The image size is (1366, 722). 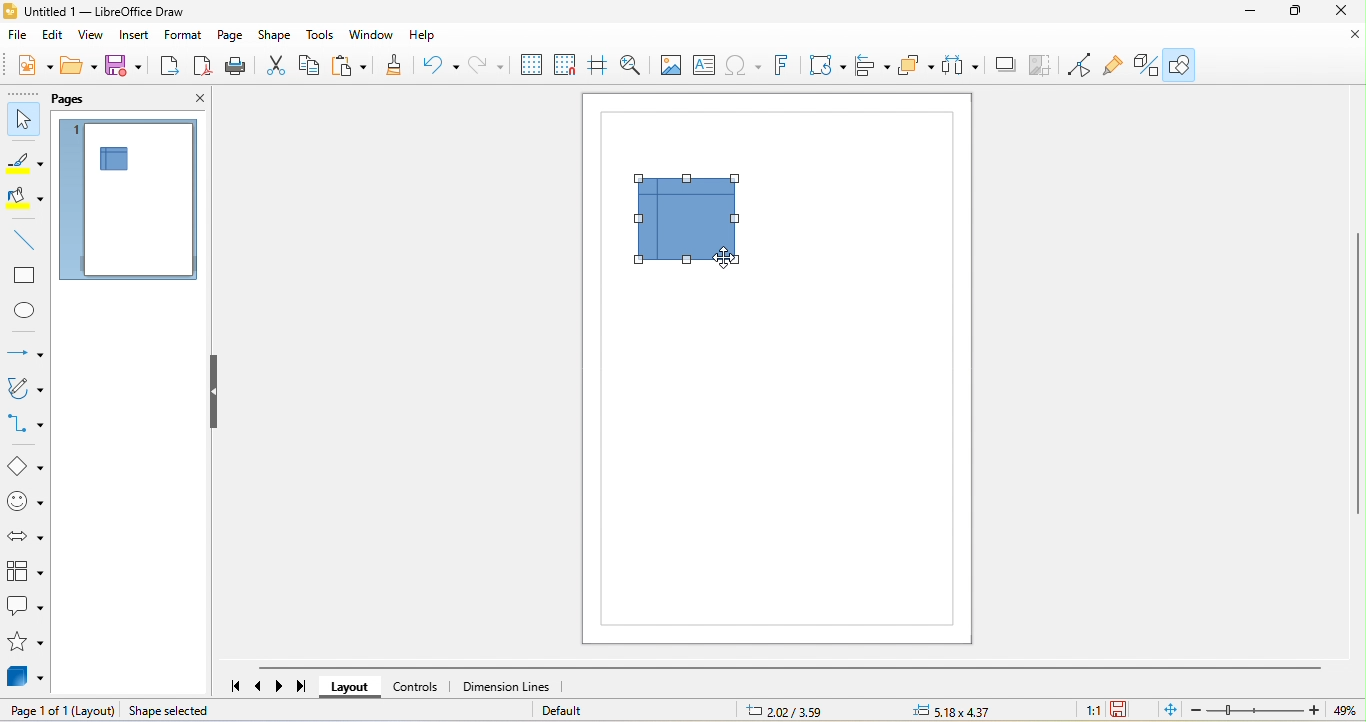 I want to click on layout, so click(x=349, y=687).